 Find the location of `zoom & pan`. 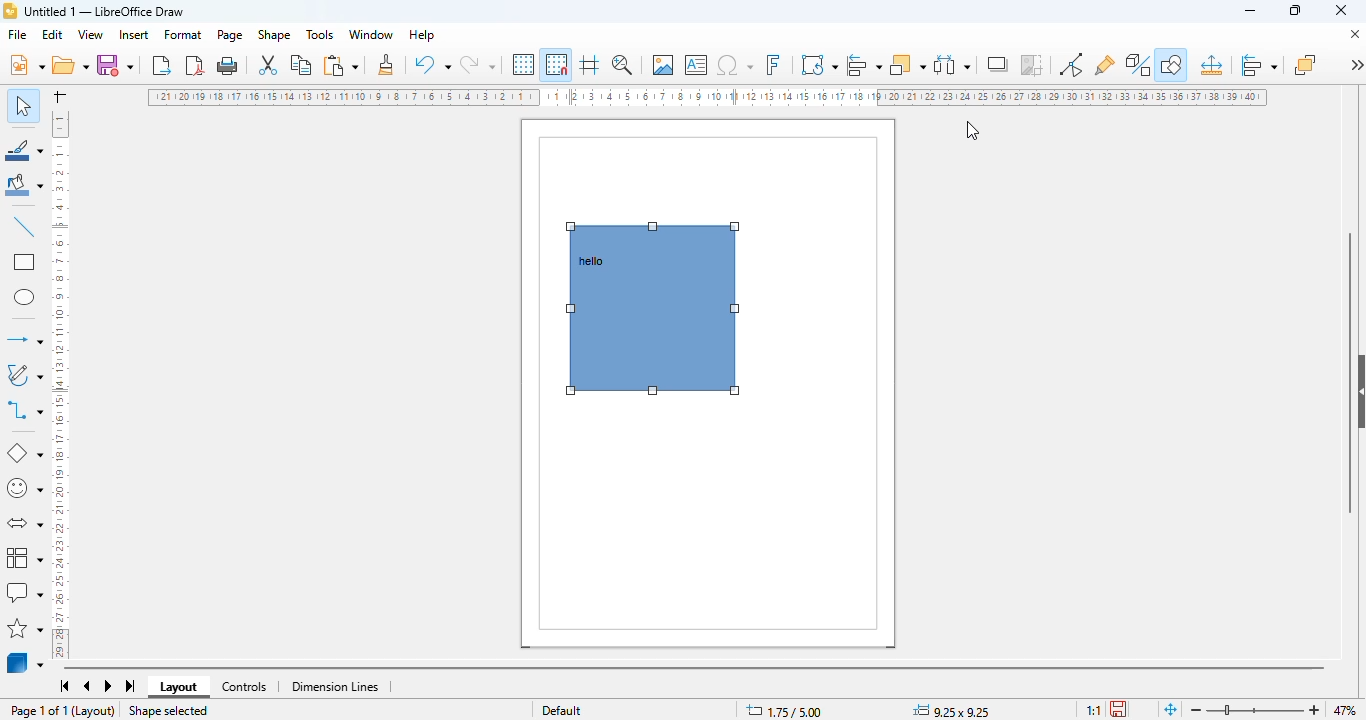

zoom & pan is located at coordinates (622, 64).